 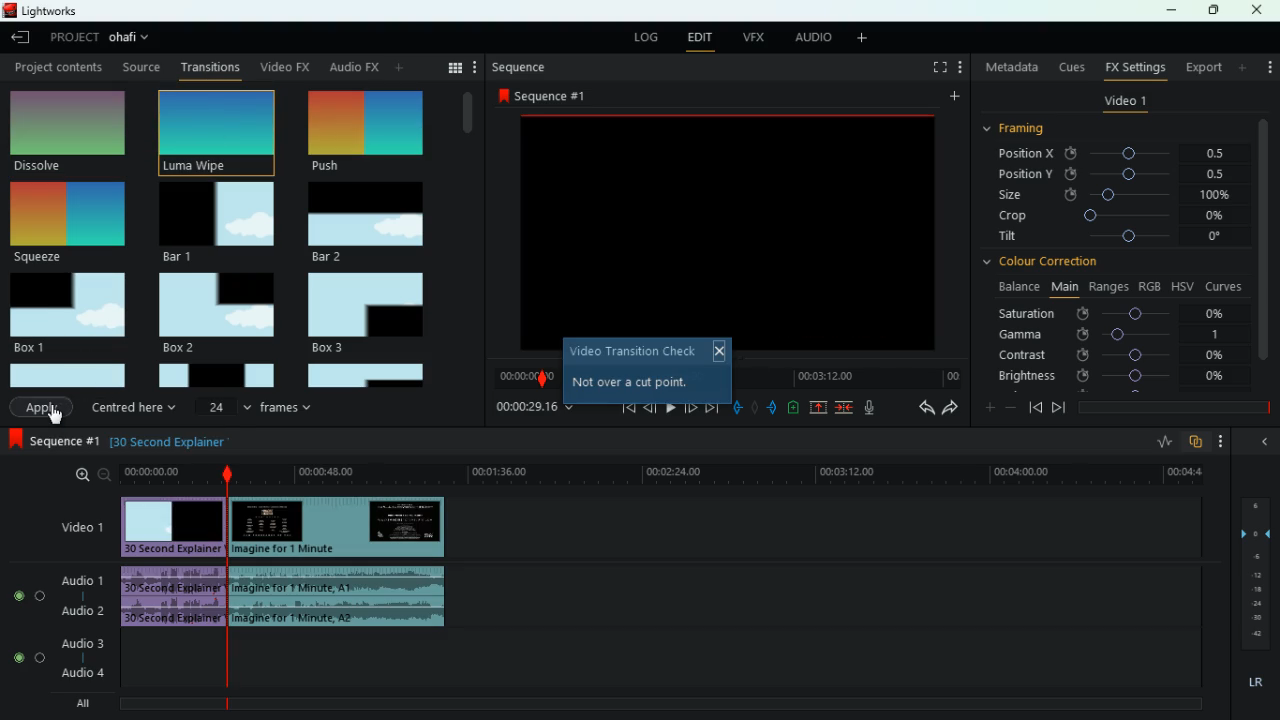 I want to click on screen, so click(x=726, y=224).